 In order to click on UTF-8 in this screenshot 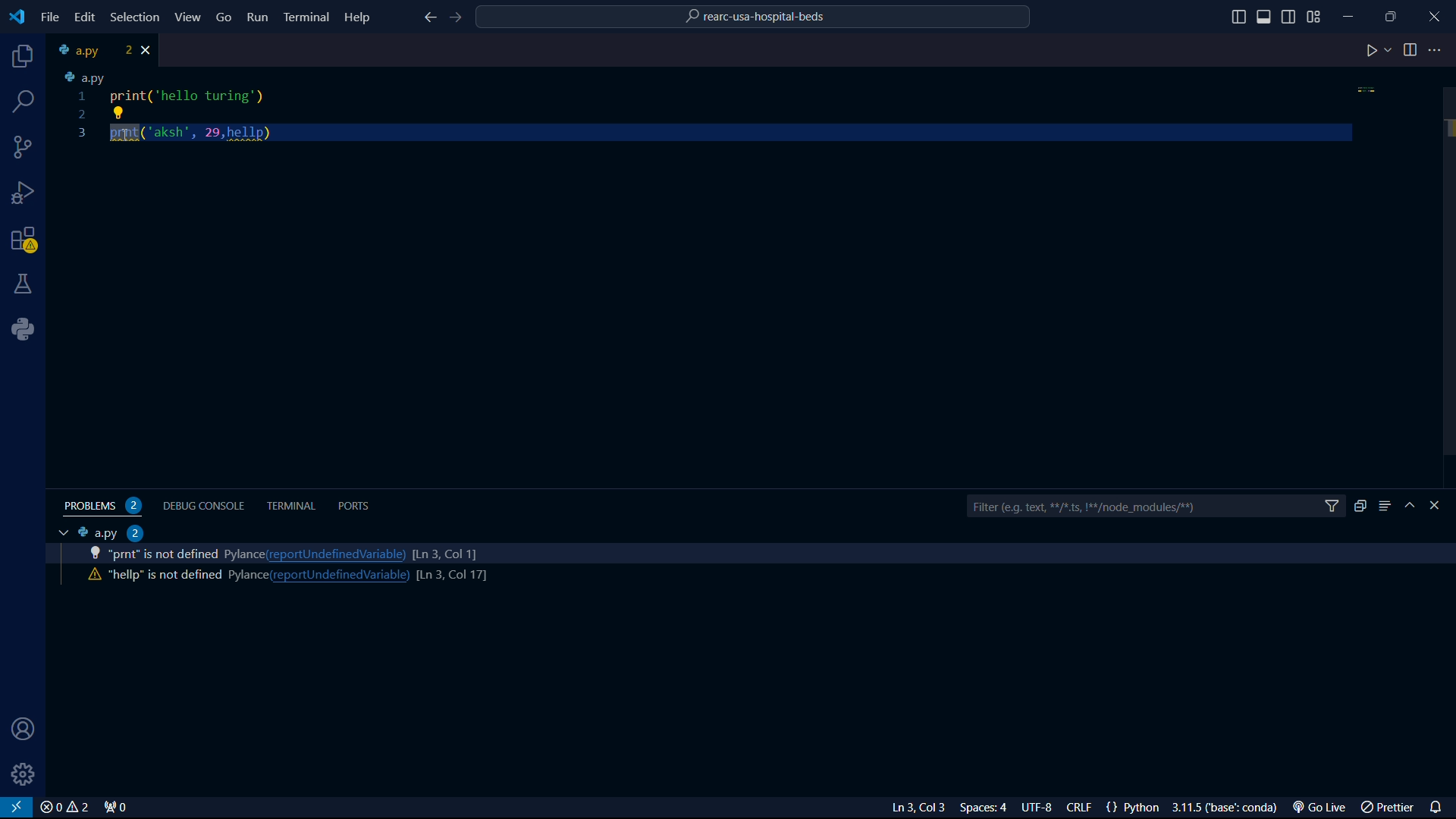, I will do `click(1043, 808)`.